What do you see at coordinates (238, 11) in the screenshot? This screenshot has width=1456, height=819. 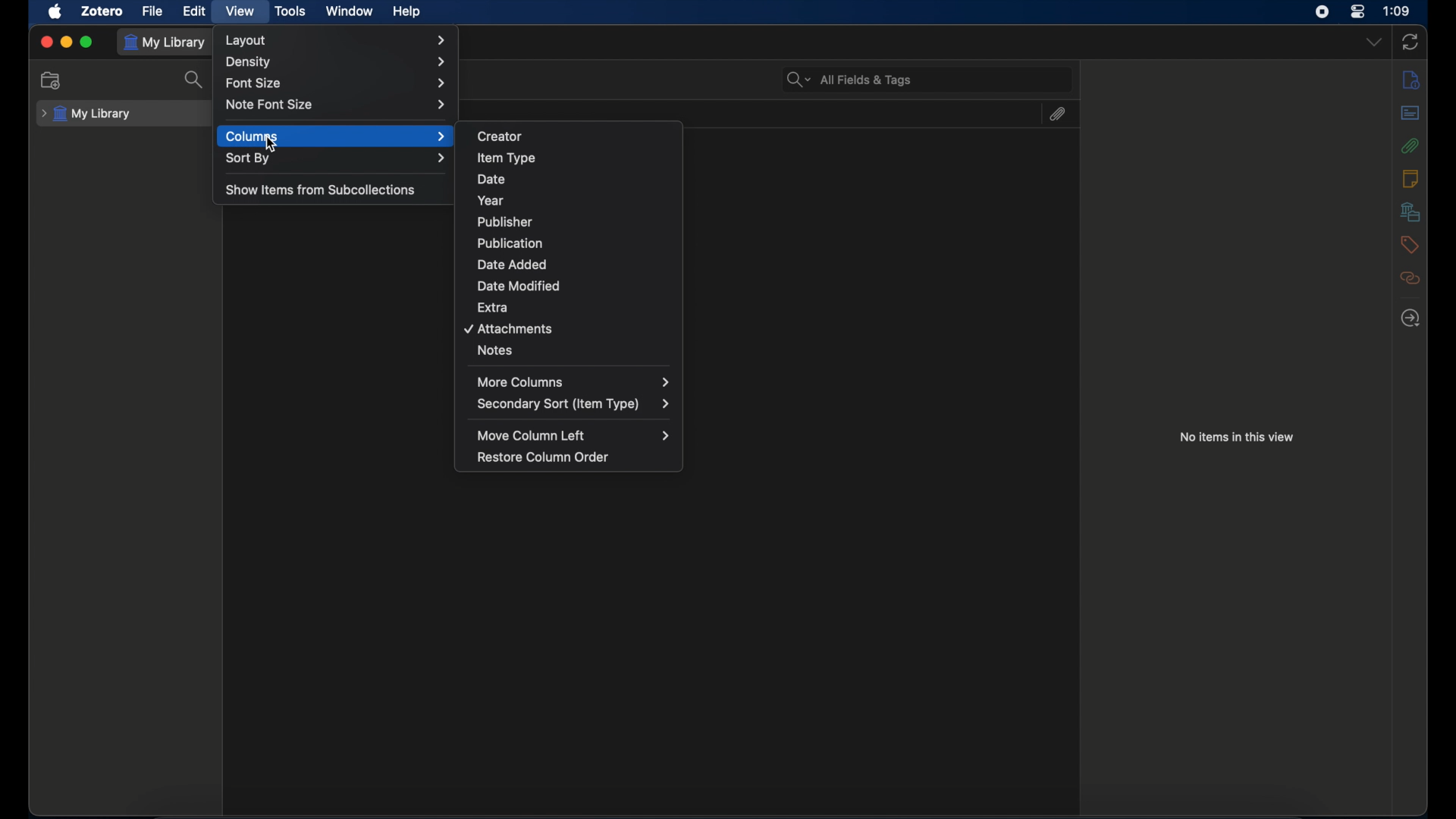 I see `view` at bounding box center [238, 11].